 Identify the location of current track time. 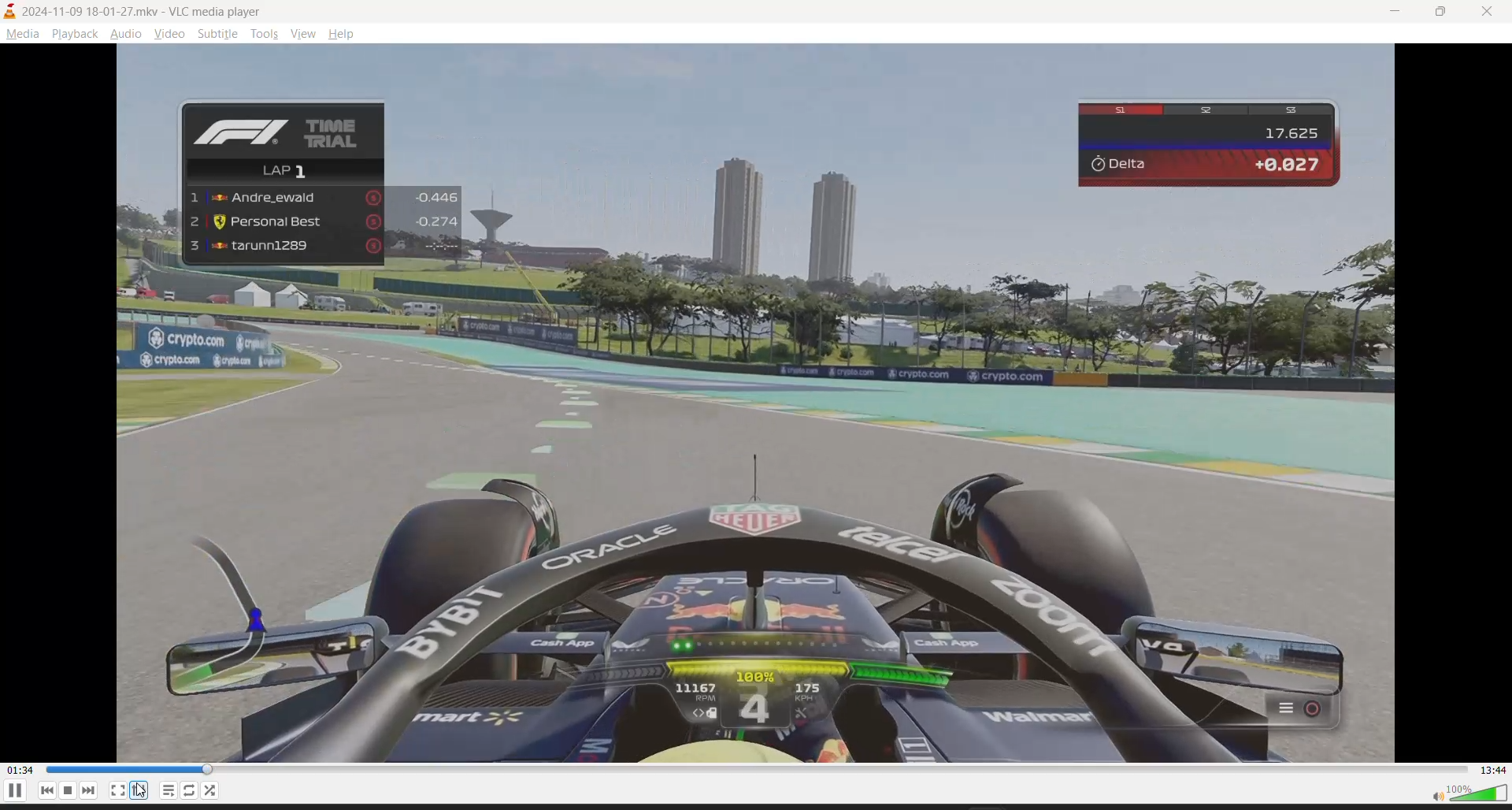
(20, 770).